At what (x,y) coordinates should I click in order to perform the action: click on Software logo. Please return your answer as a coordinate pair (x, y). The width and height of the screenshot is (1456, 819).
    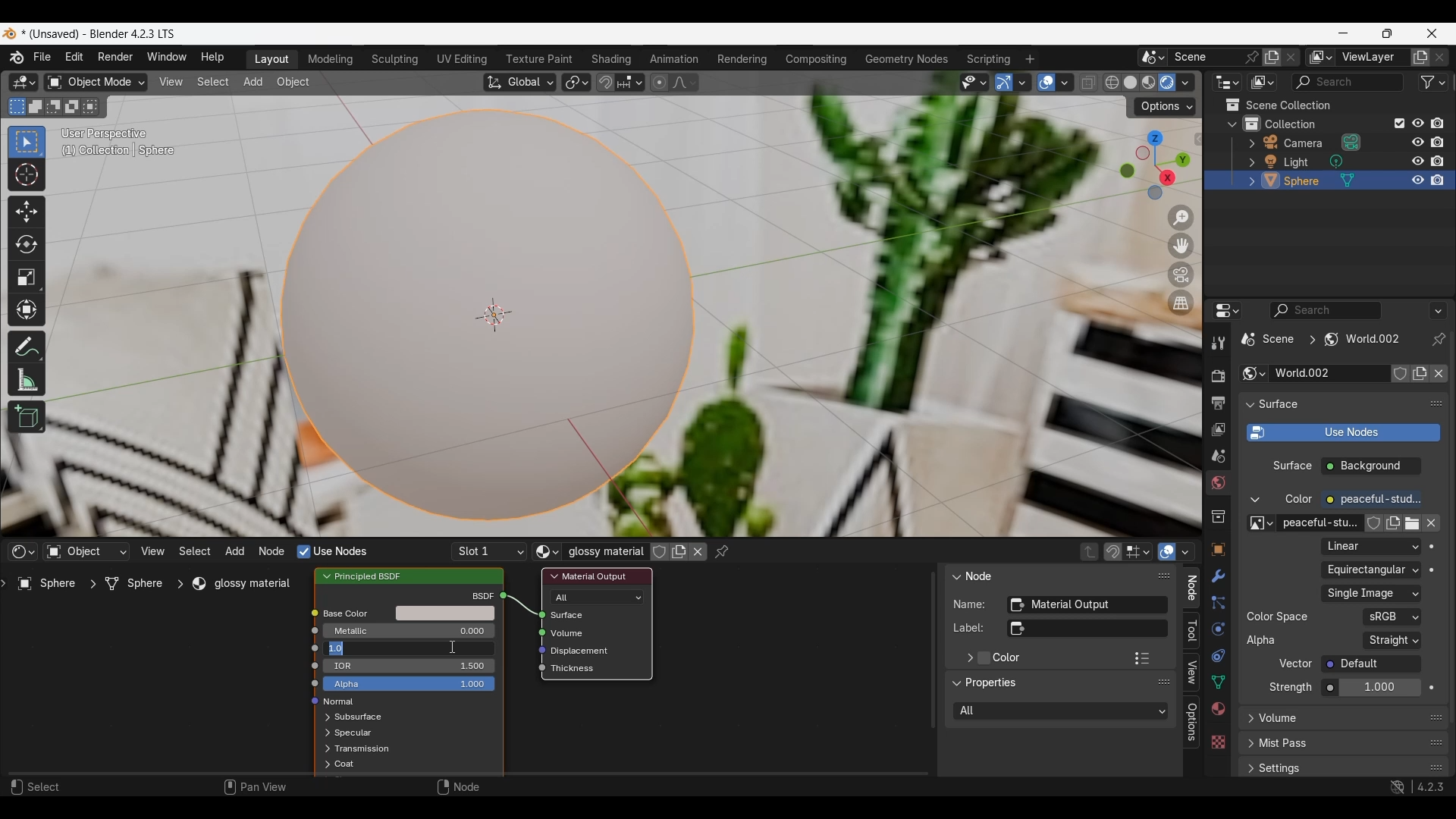
    Looking at the image, I should click on (9, 34).